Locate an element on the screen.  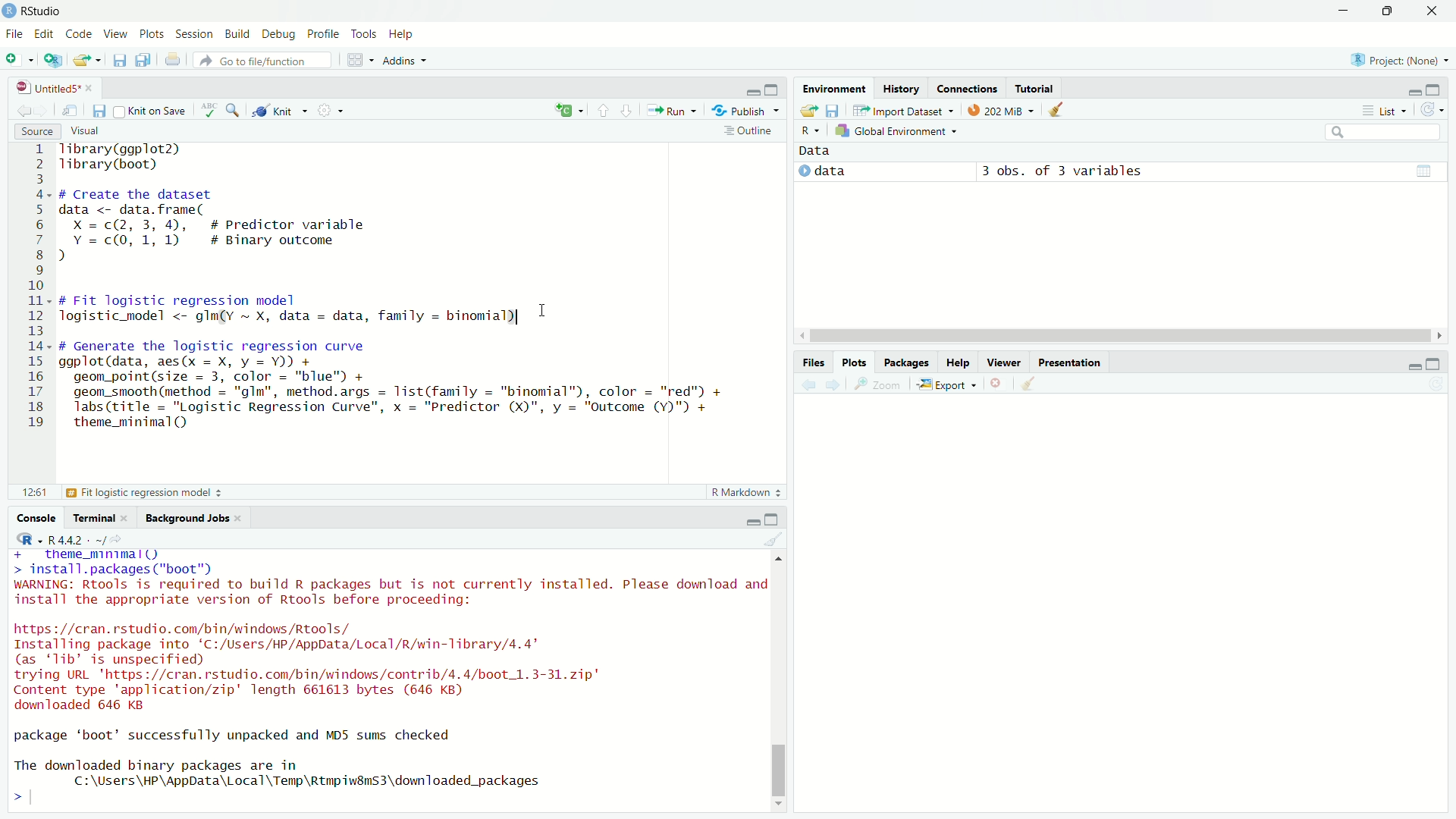
202 MiB is located at coordinates (1001, 108).